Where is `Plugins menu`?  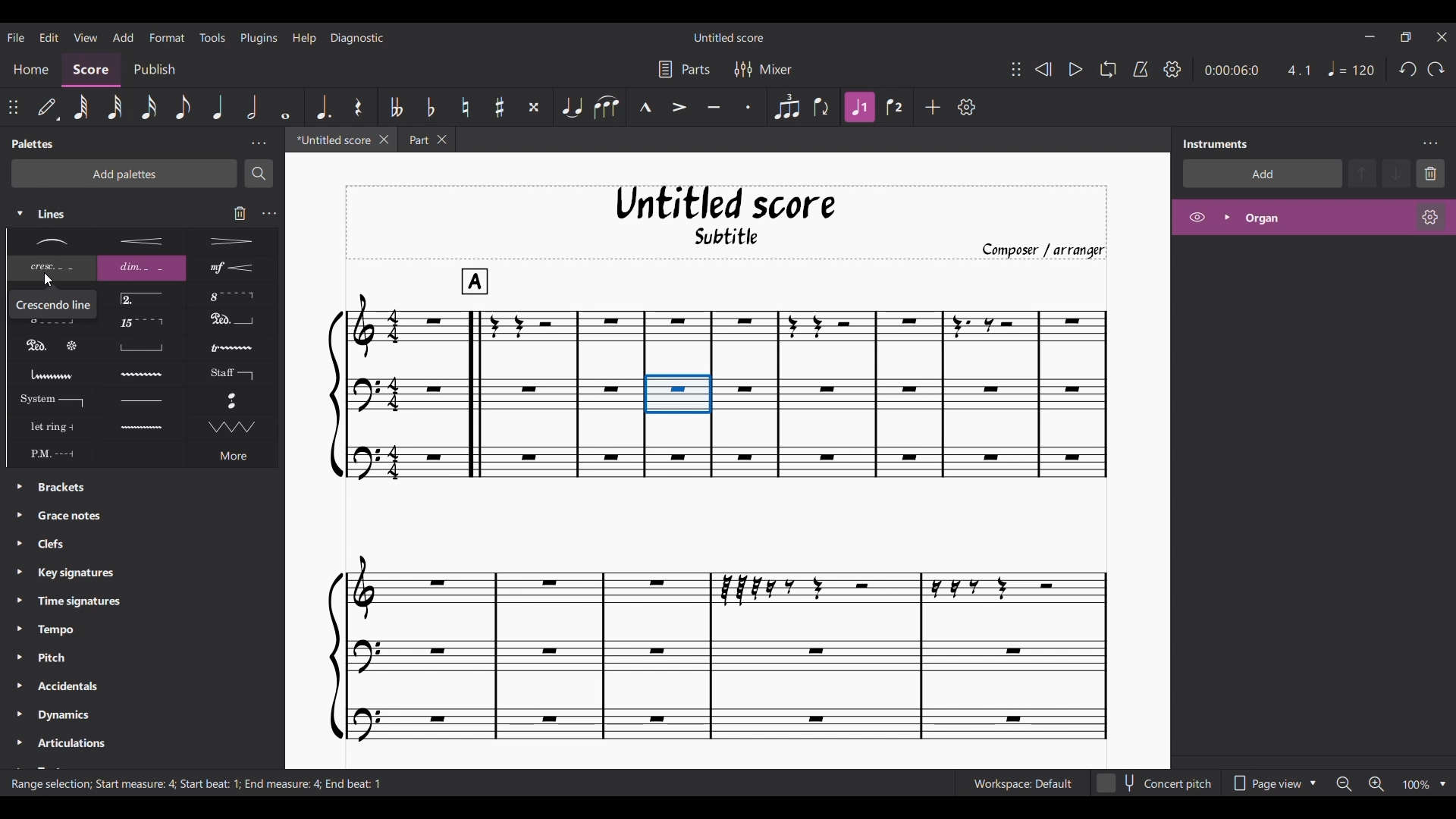
Plugins menu is located at coordinates (259, 37).